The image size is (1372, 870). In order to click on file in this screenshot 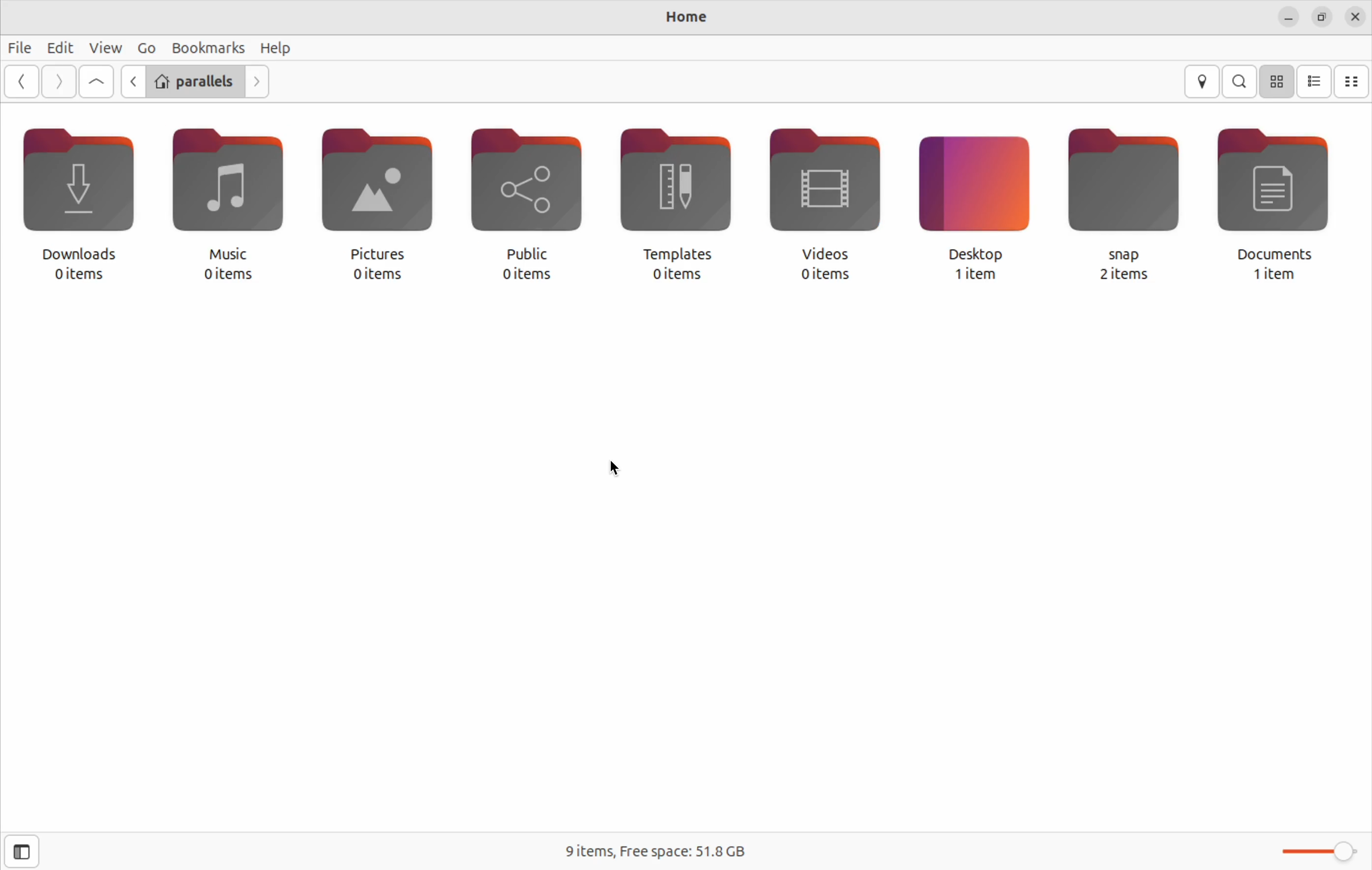, I will do `click(20, 47)`.